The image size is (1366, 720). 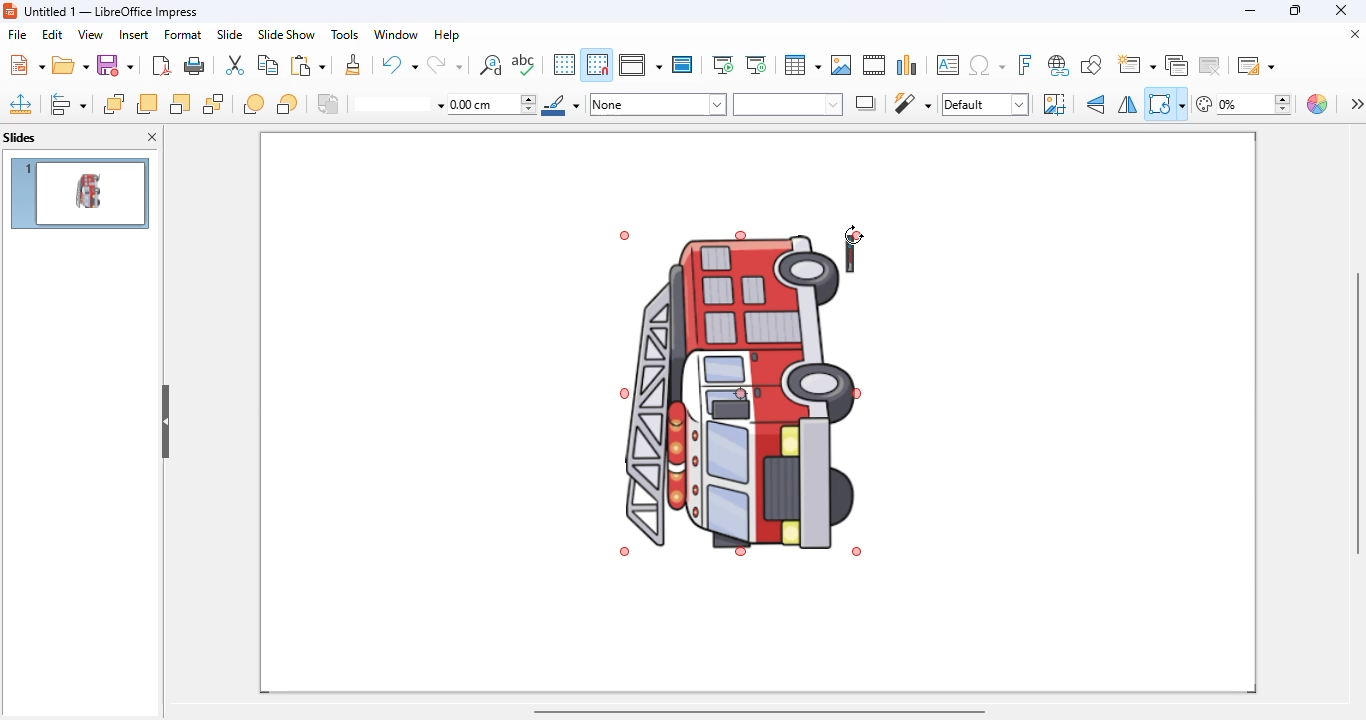 What do you see at coordinates (52, 34) in the screenshot?
I see `edit` at bounding box center [52, 34].